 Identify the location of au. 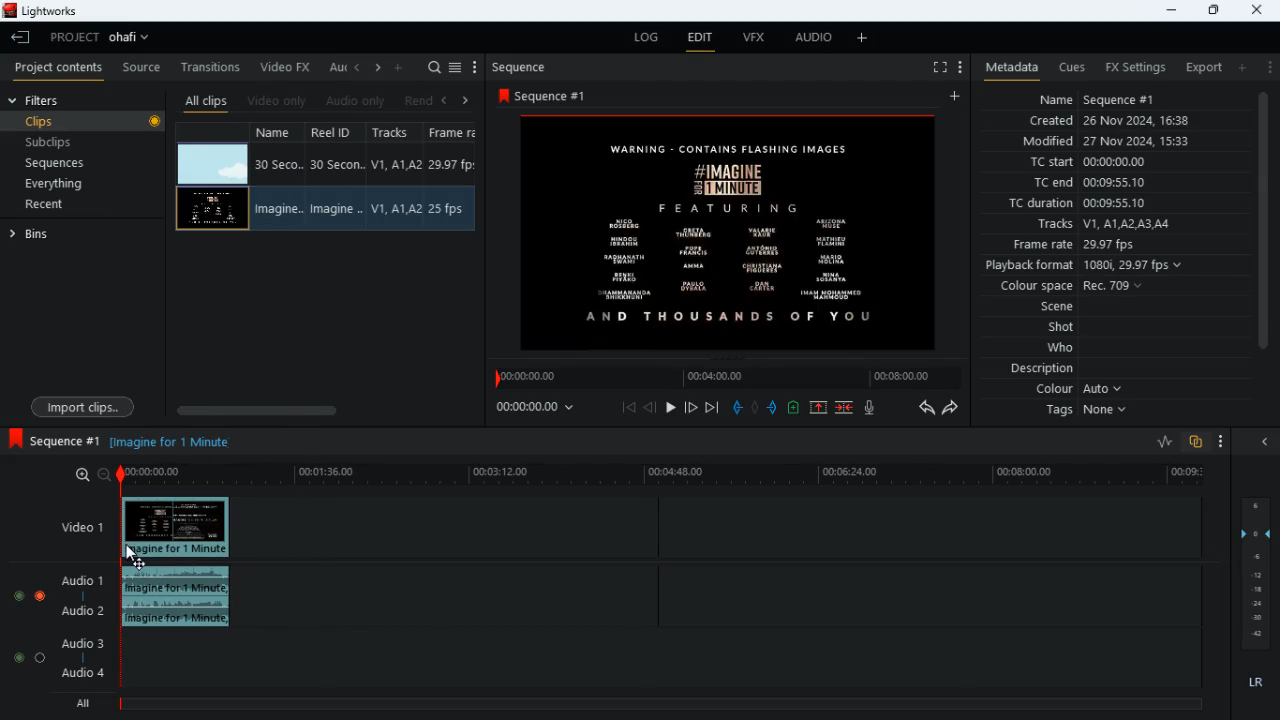
(338, 67).